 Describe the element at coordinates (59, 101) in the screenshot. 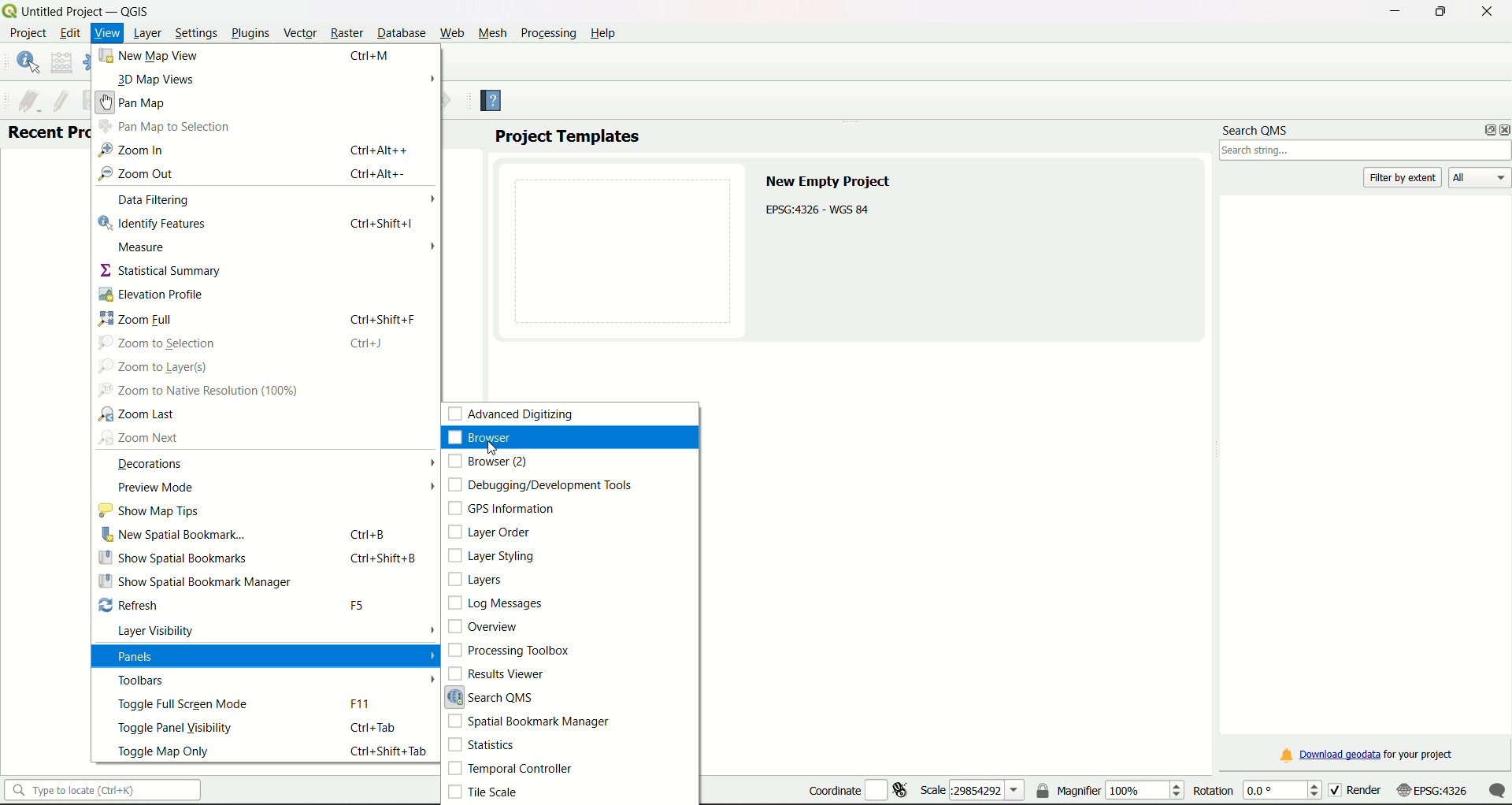

I see `toggle edit` at that location.